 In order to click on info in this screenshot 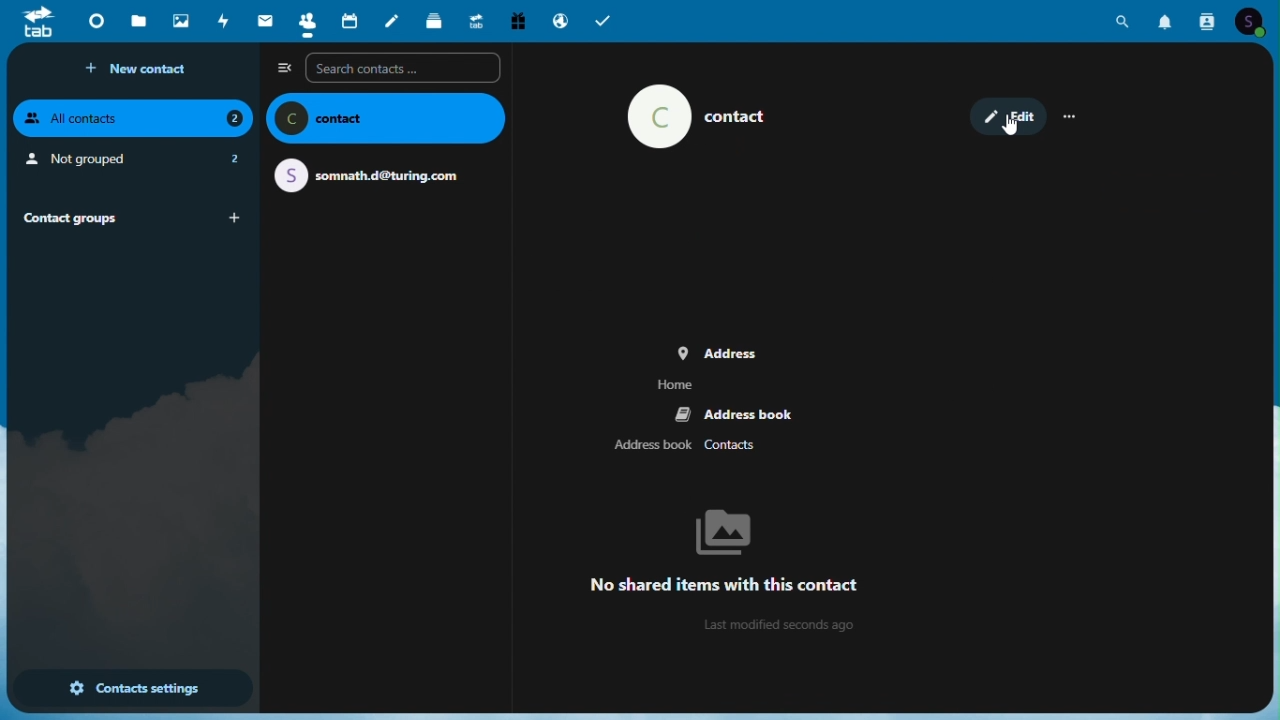, I will do `click(792, 631)`.